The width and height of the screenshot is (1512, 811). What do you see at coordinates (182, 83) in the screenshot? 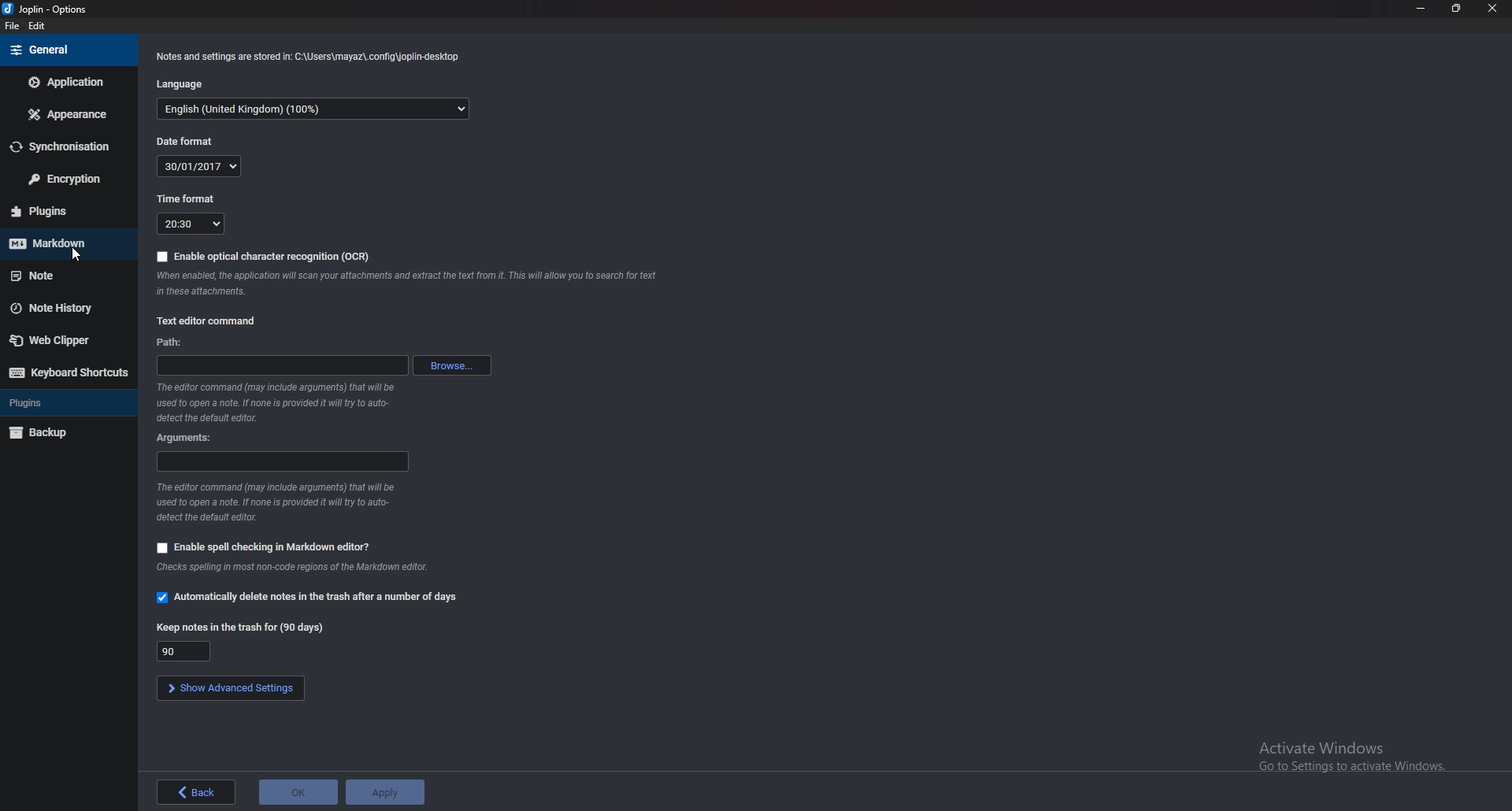
I see `Language` at bounding box center [182, 83].